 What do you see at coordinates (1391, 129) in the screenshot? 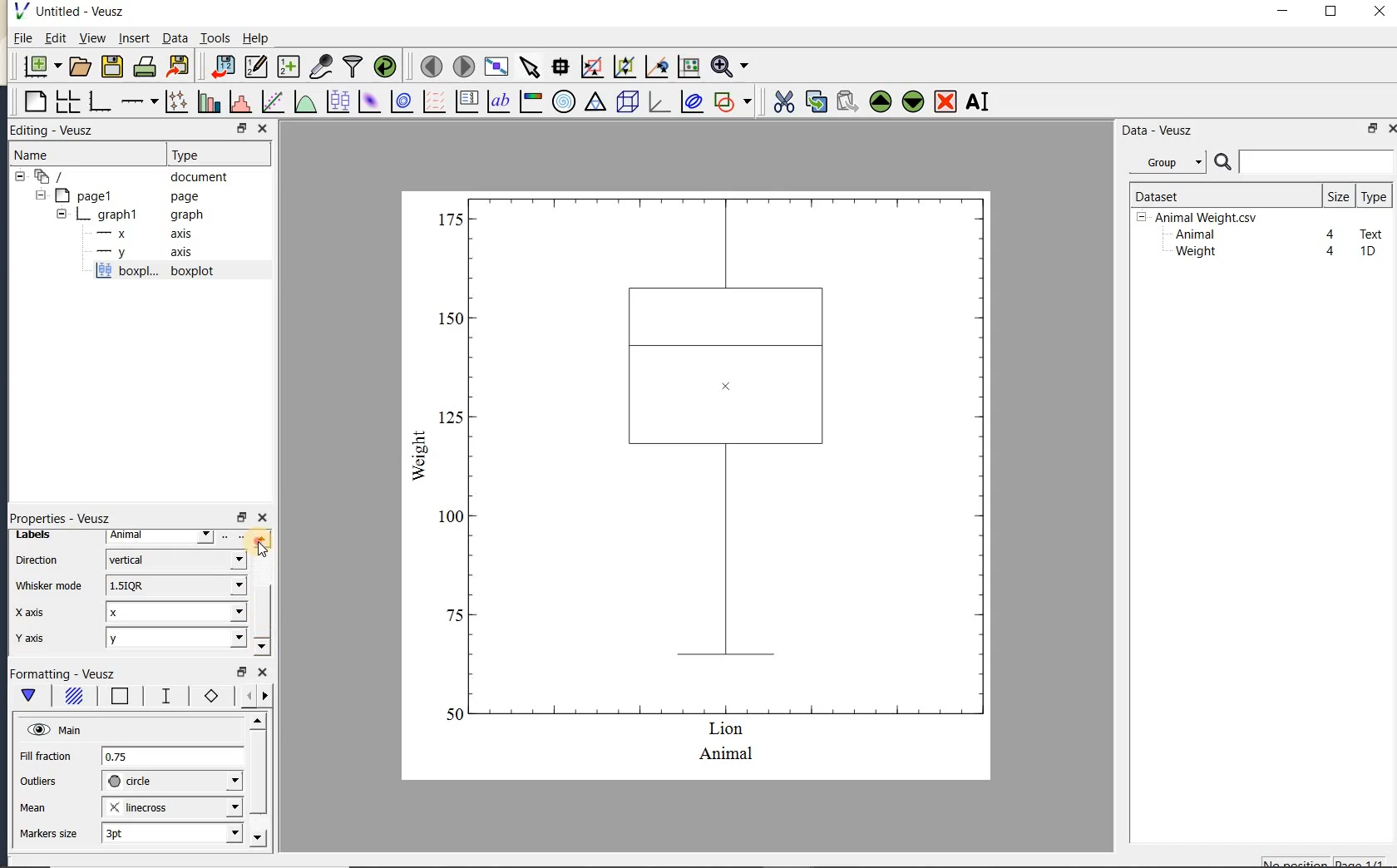
I see `close` at bounding box center [1391, 129].